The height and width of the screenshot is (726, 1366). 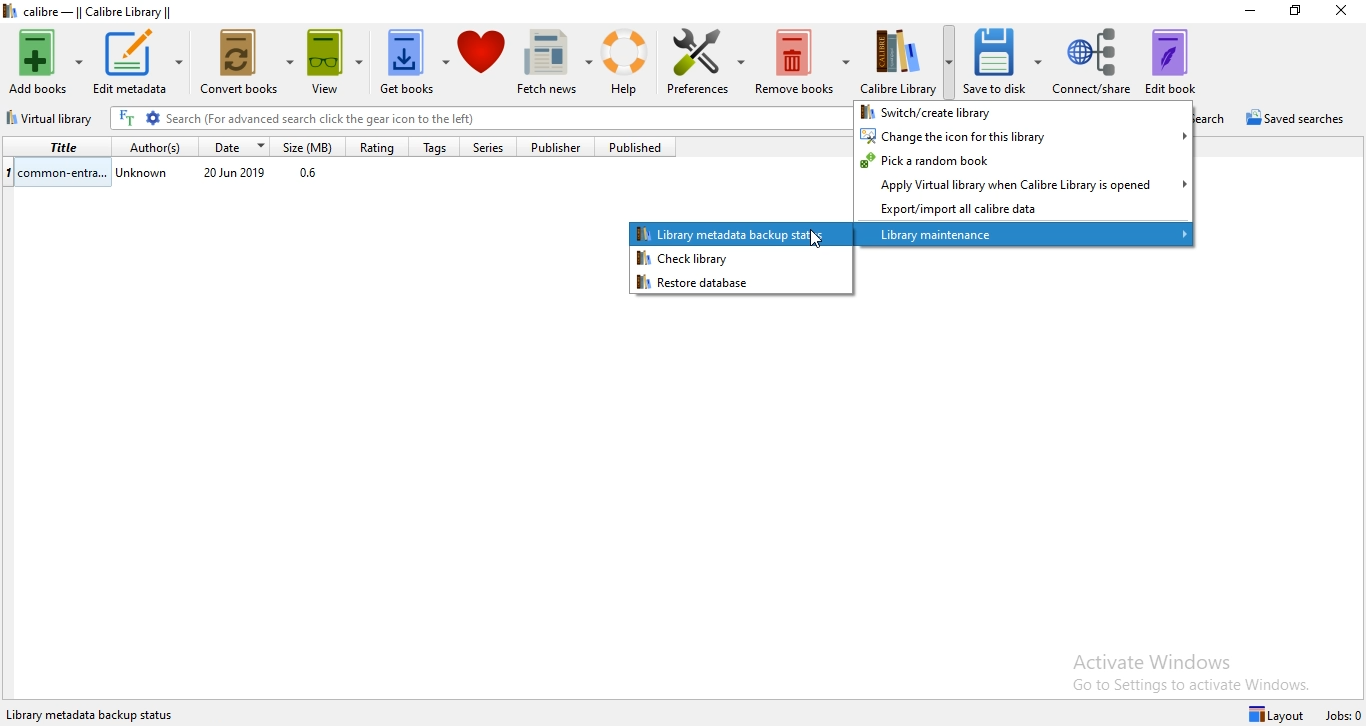 I want to click on Add books, so click(x=44, y=59).